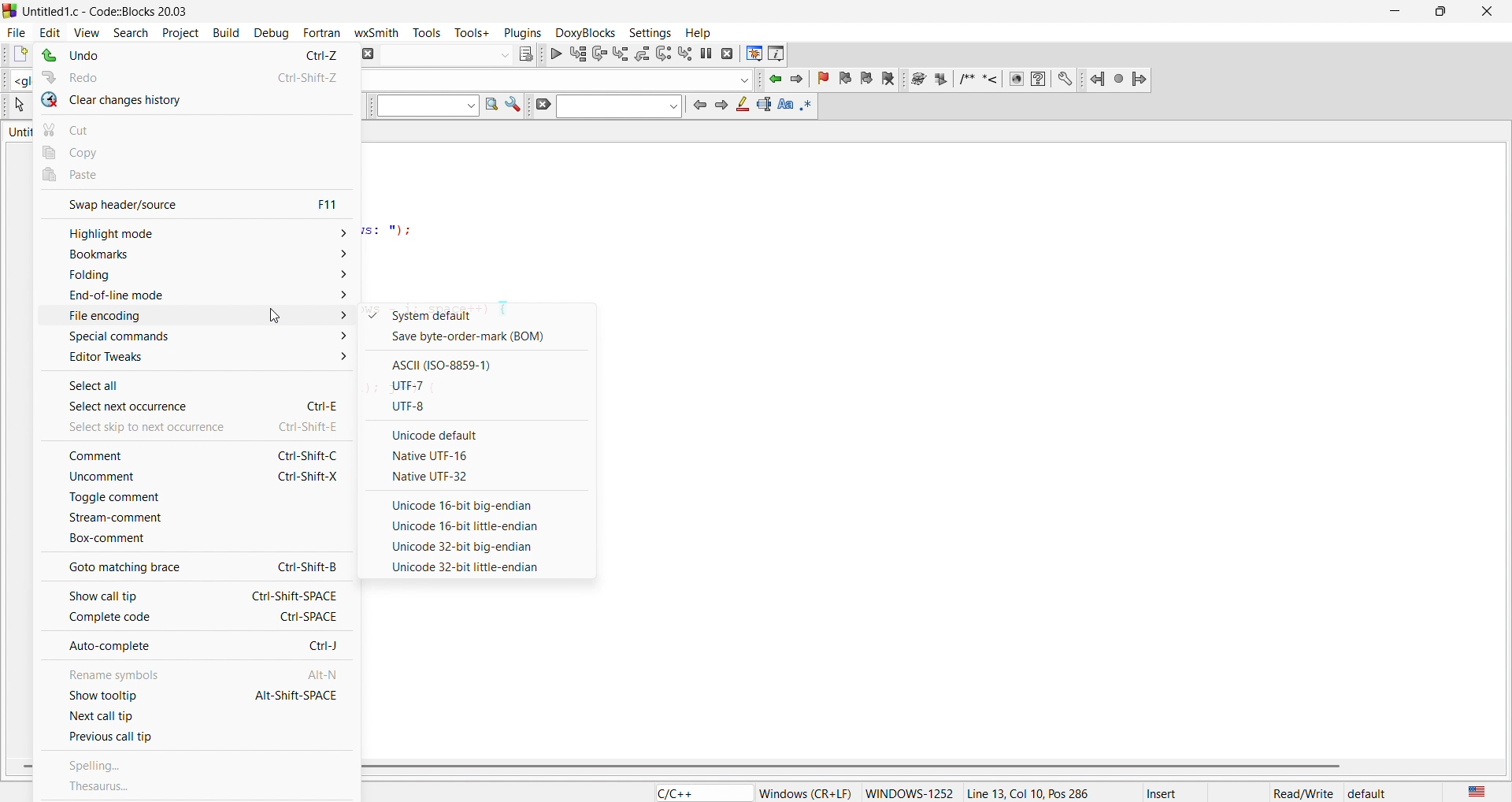  What do you see at coordinates (1037, 80) in the screenshot?
I see `help` at bounding box center [1037, 80].